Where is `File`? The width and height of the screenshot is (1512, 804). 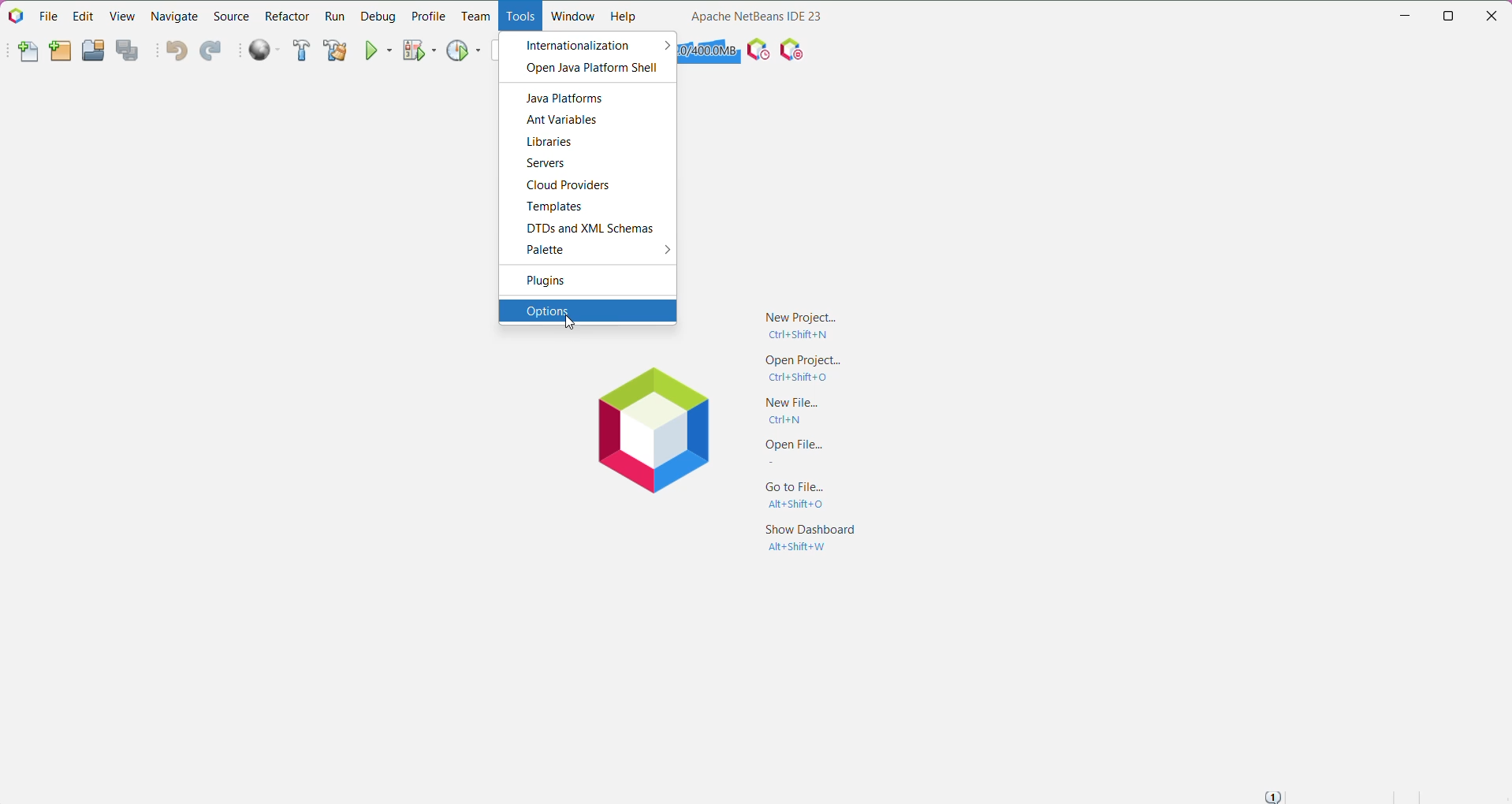
File is located at coordinates (49, 17).